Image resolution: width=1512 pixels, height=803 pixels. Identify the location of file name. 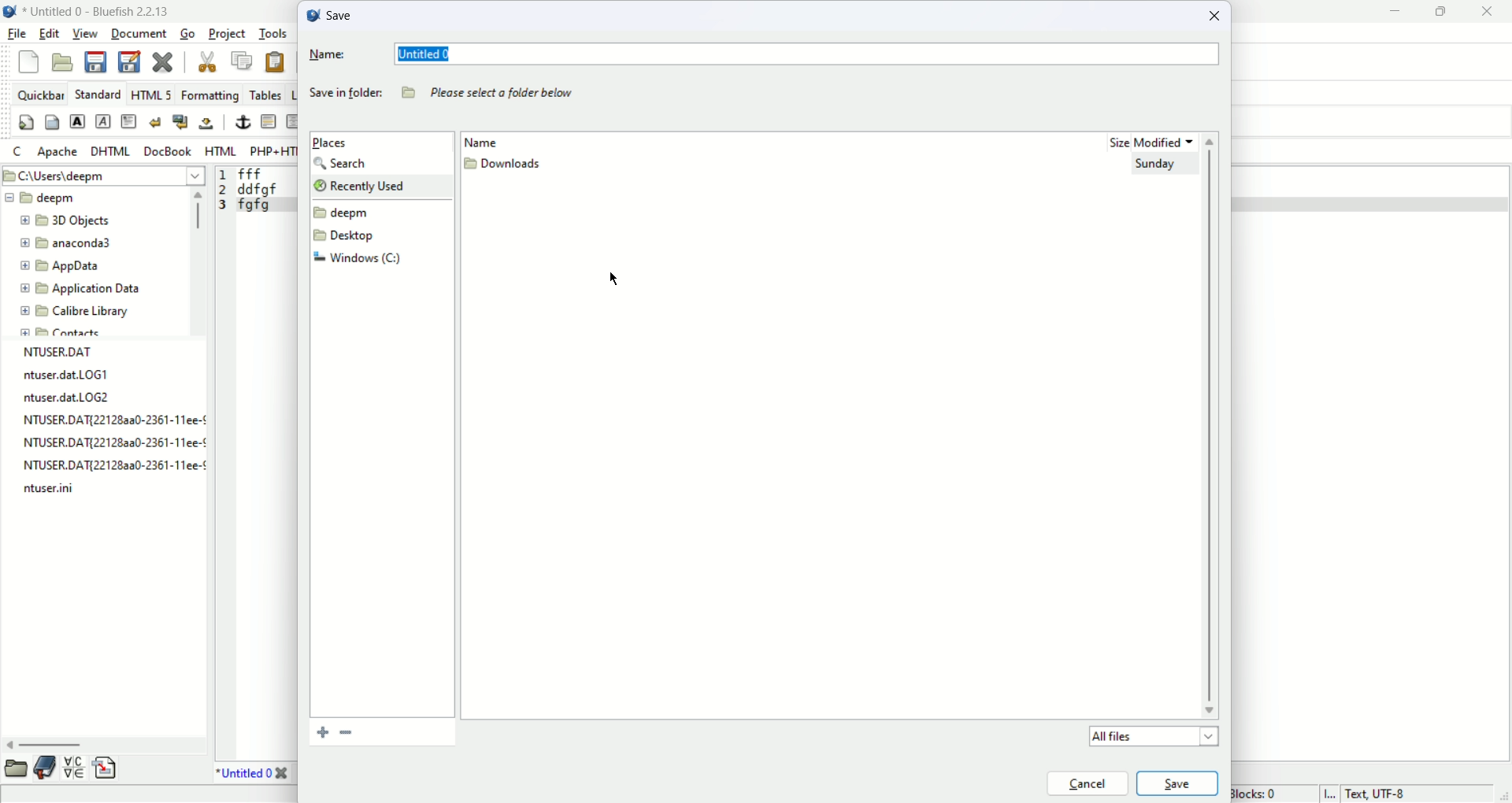
(46, 493).